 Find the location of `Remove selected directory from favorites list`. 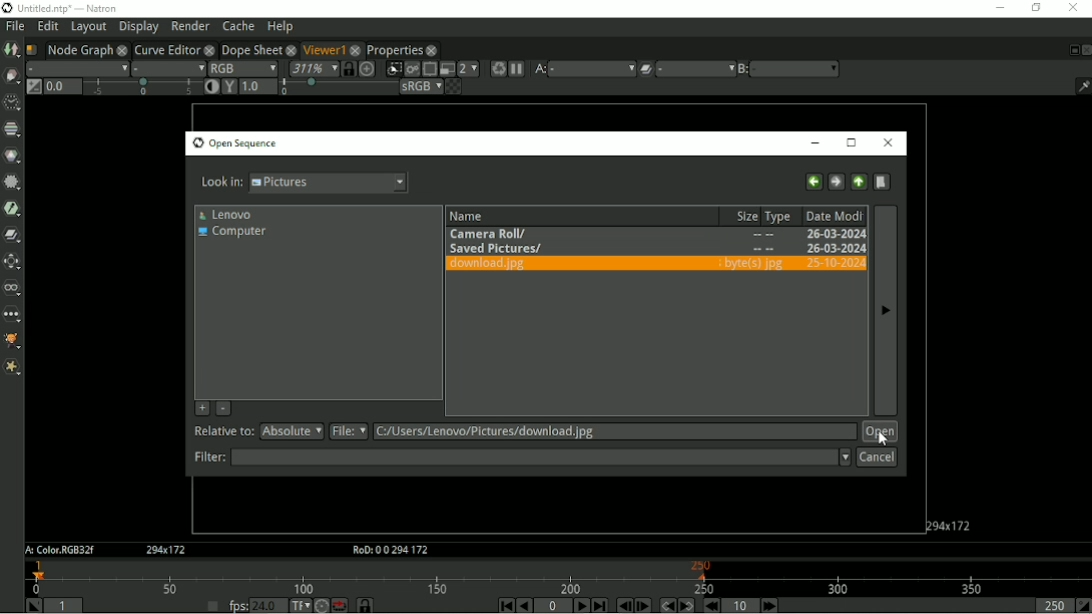

Remove selected directory from favorites list is located at coordinates (224, 408).